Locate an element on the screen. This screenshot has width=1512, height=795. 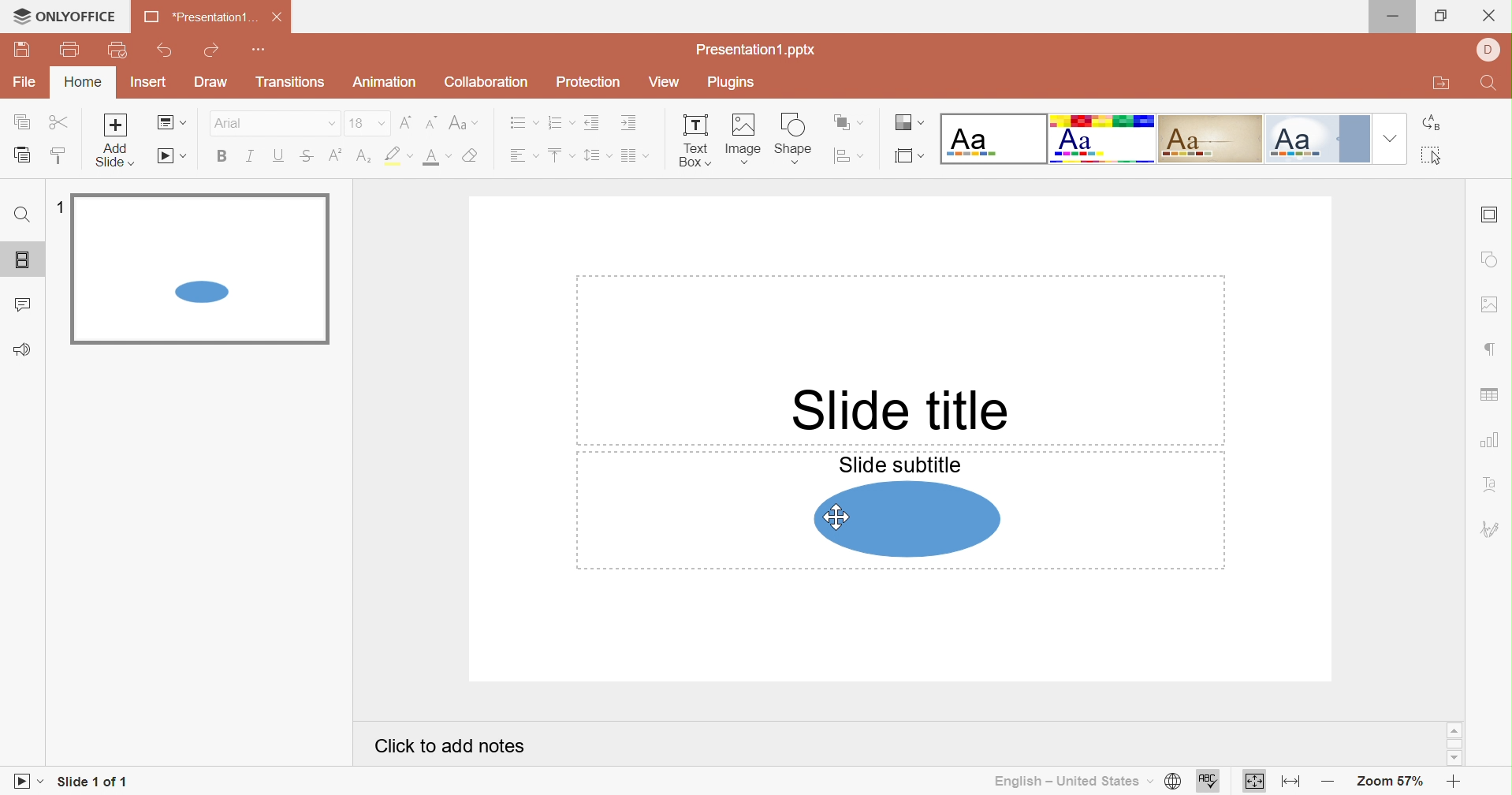
Slide subtitle is located at coordinates (901, 463).